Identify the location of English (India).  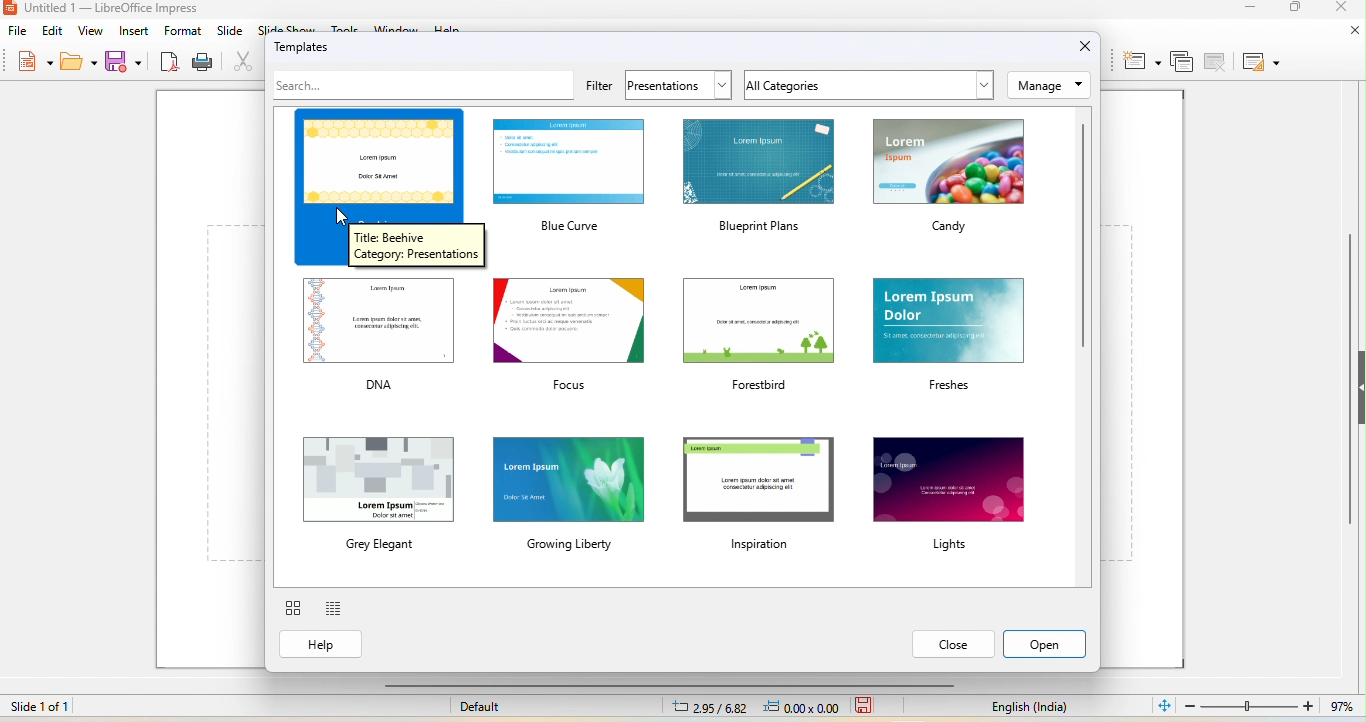
(1030, 708).